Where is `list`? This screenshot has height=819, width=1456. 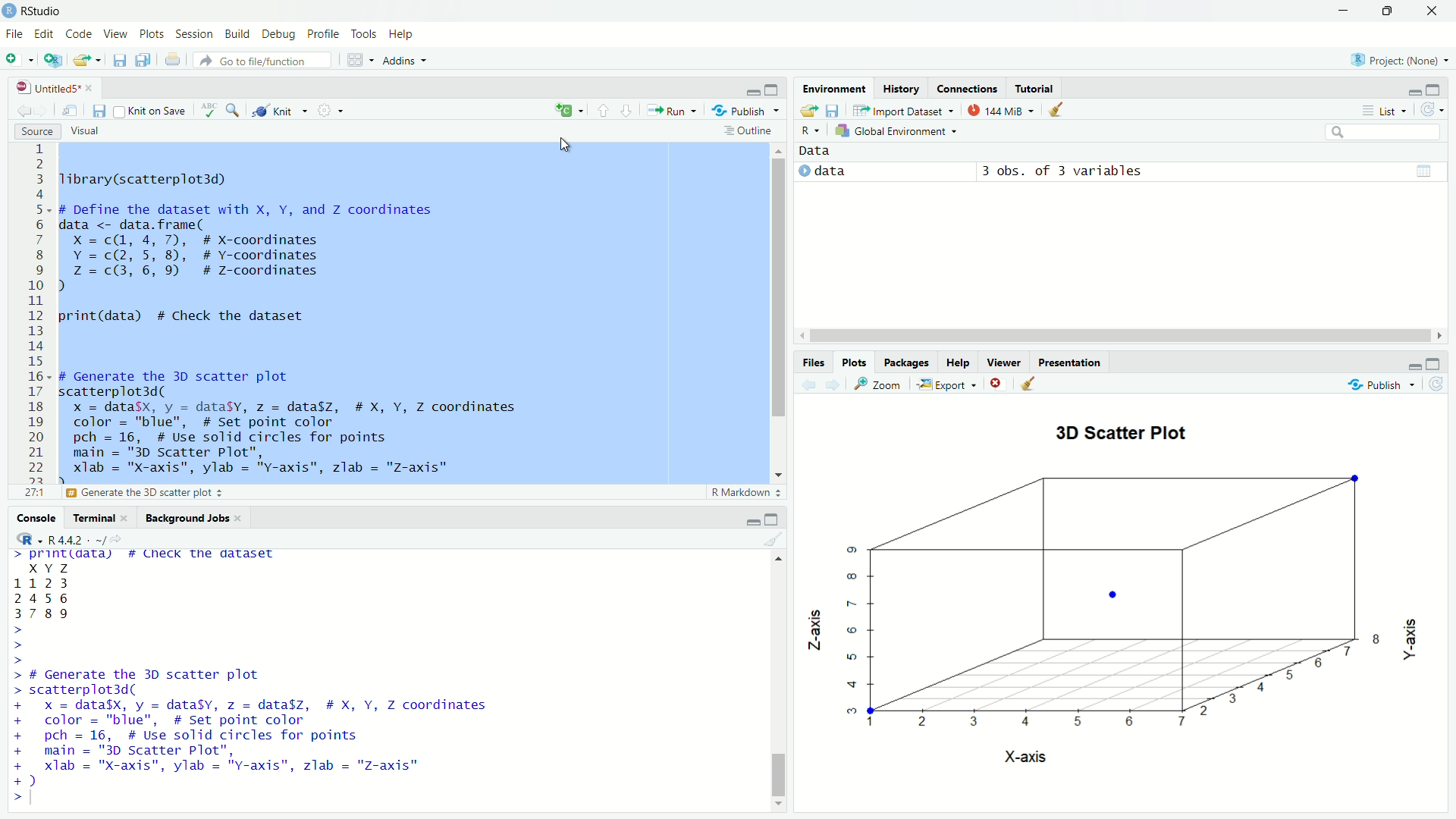
list is located at coordinates (1385, 111).